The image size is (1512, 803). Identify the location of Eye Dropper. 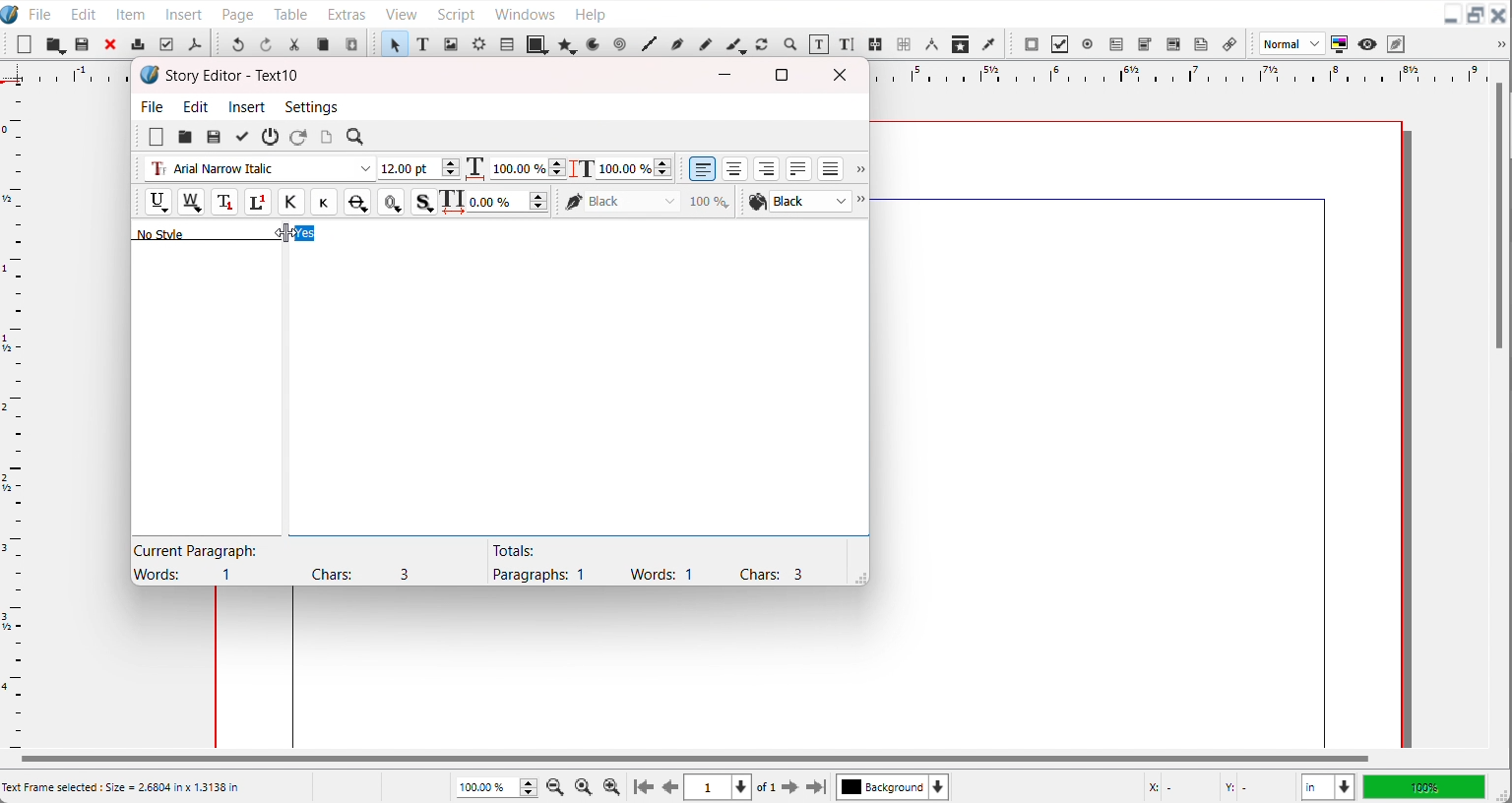
(990, 43).